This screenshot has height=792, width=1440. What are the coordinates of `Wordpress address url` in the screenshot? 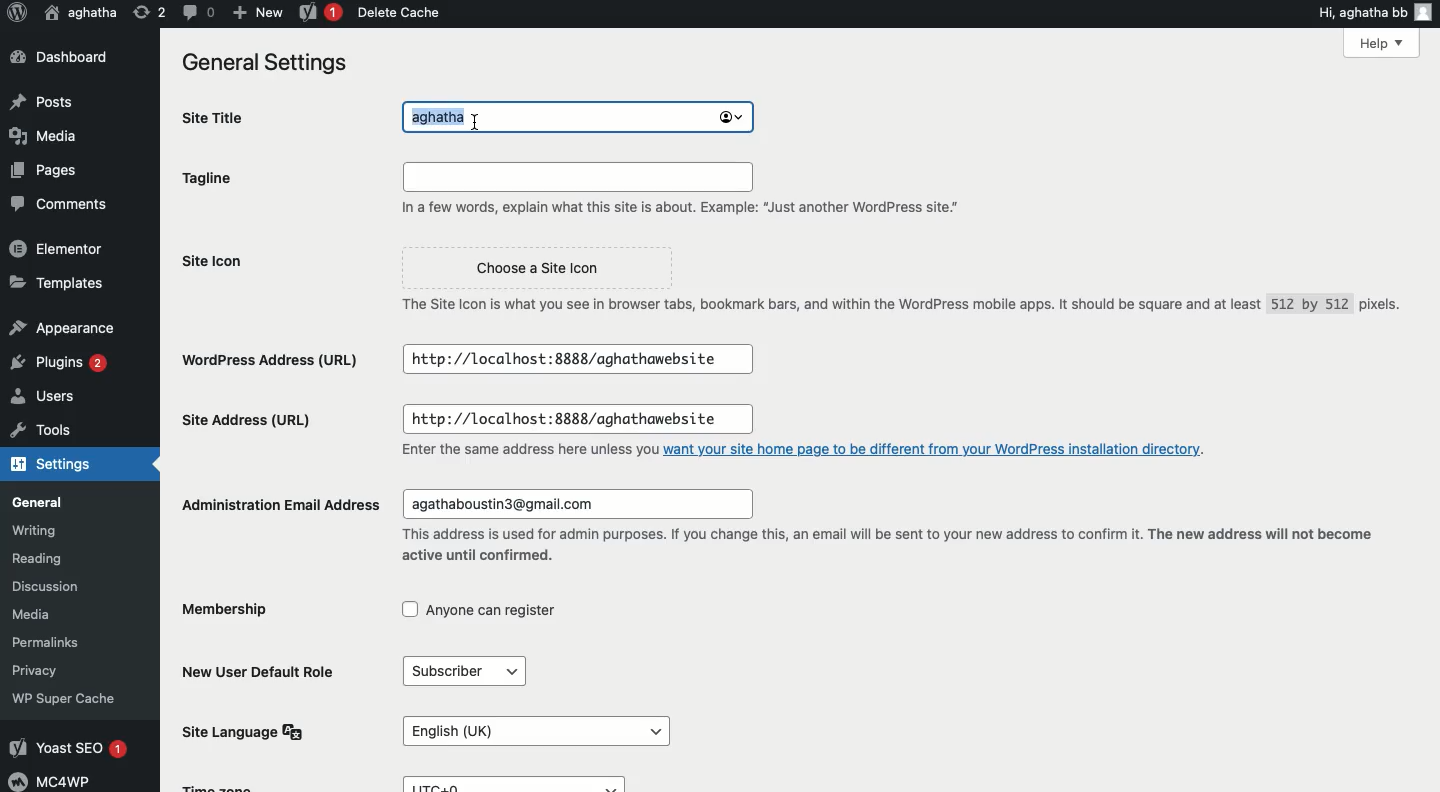 It's located at (273, 361).